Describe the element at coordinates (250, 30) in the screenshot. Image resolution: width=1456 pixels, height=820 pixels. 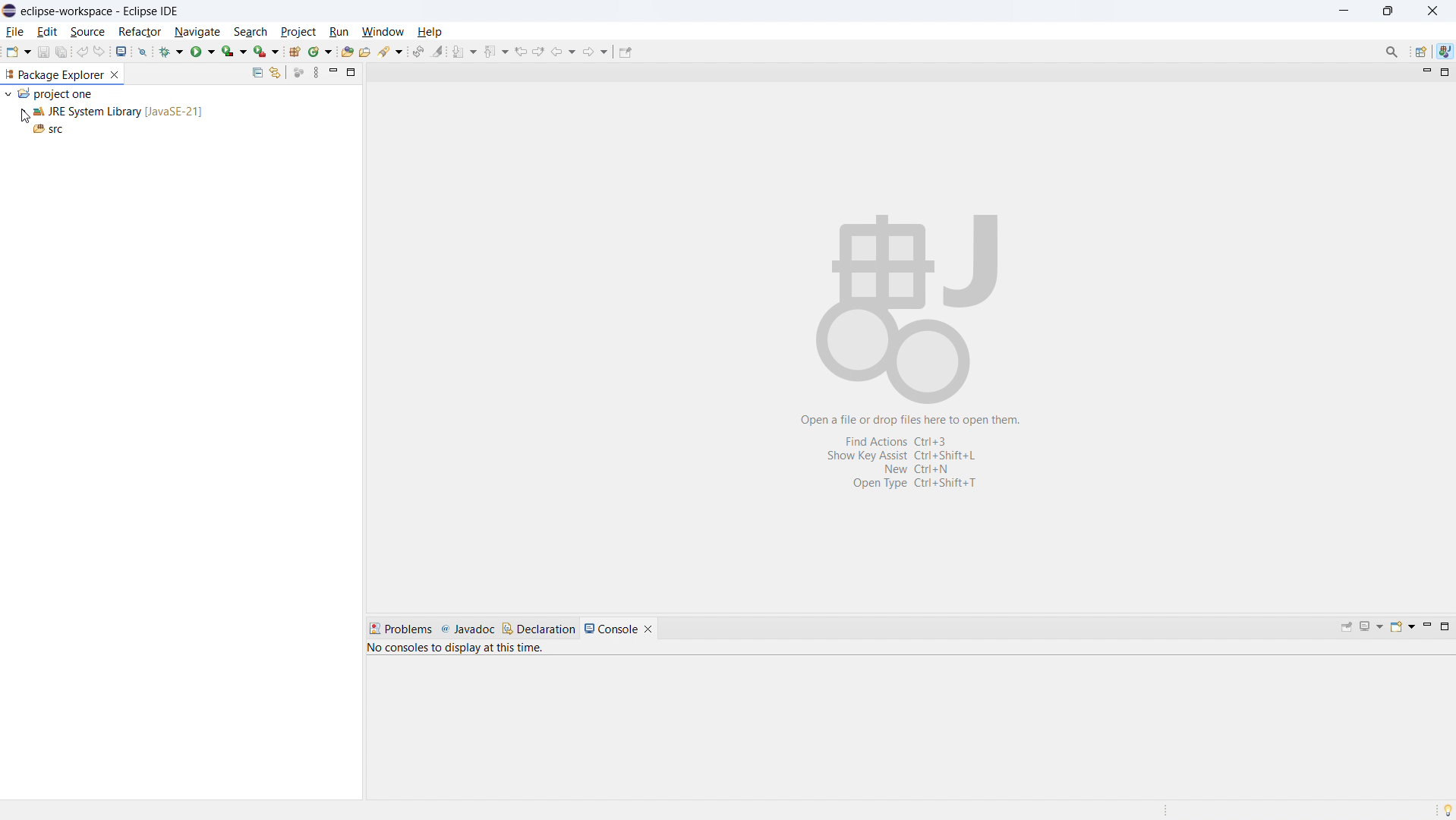
I see `search` at that location.